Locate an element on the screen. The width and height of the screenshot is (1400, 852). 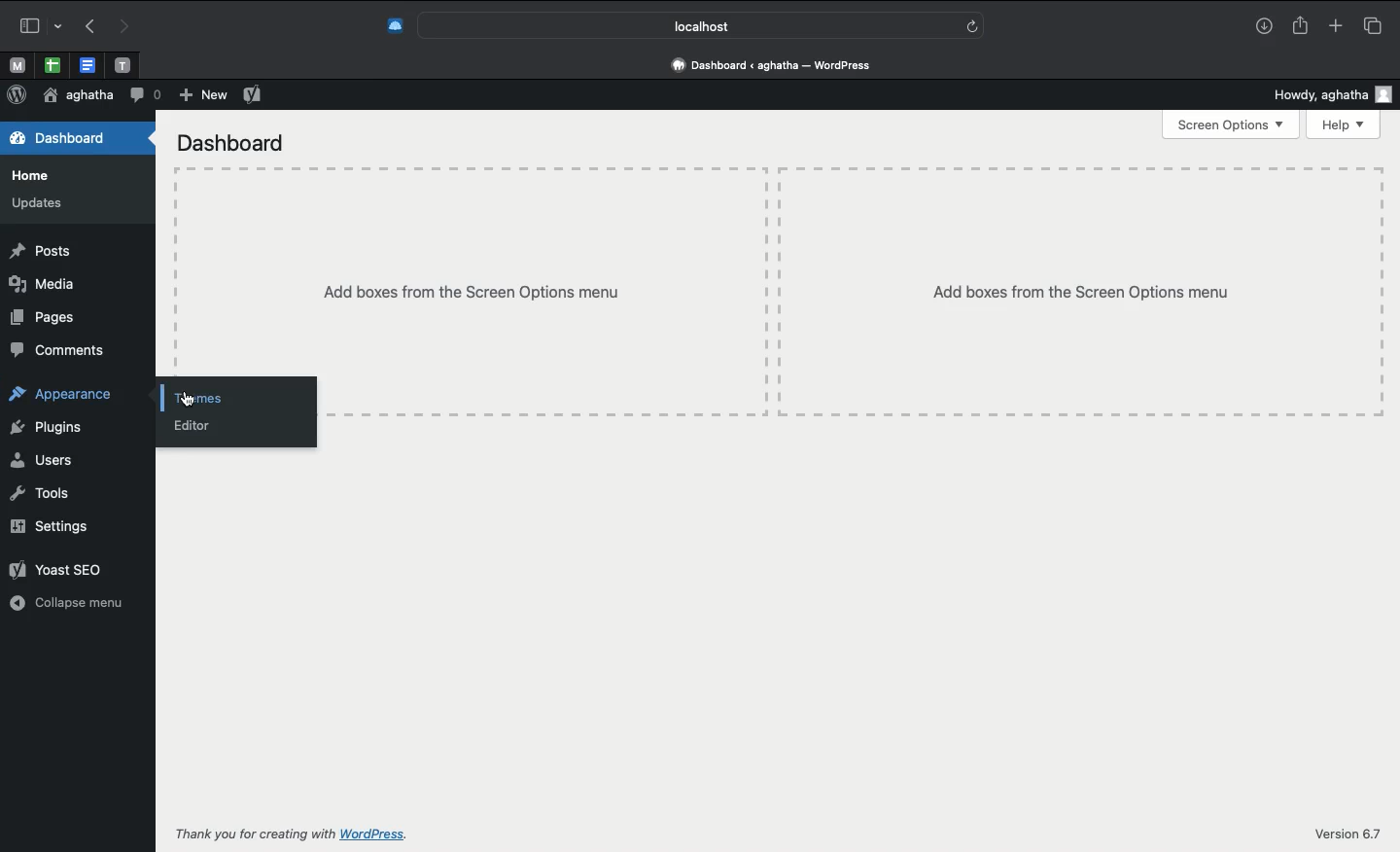
New is located at coordinates (200, 96).